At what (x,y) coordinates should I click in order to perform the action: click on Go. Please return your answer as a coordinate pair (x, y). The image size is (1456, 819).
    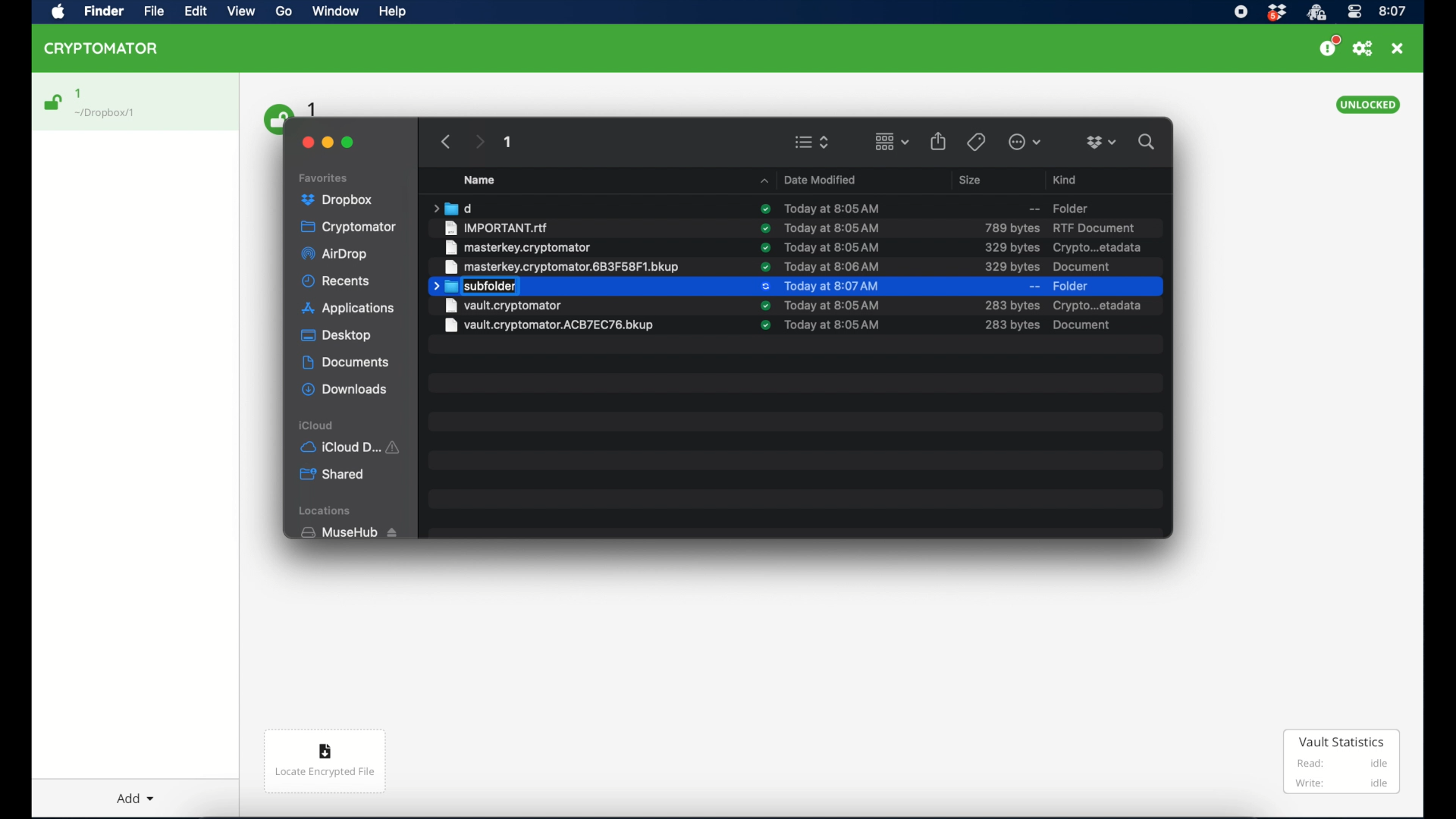
    Looking at the image, I should click on (289, 15).